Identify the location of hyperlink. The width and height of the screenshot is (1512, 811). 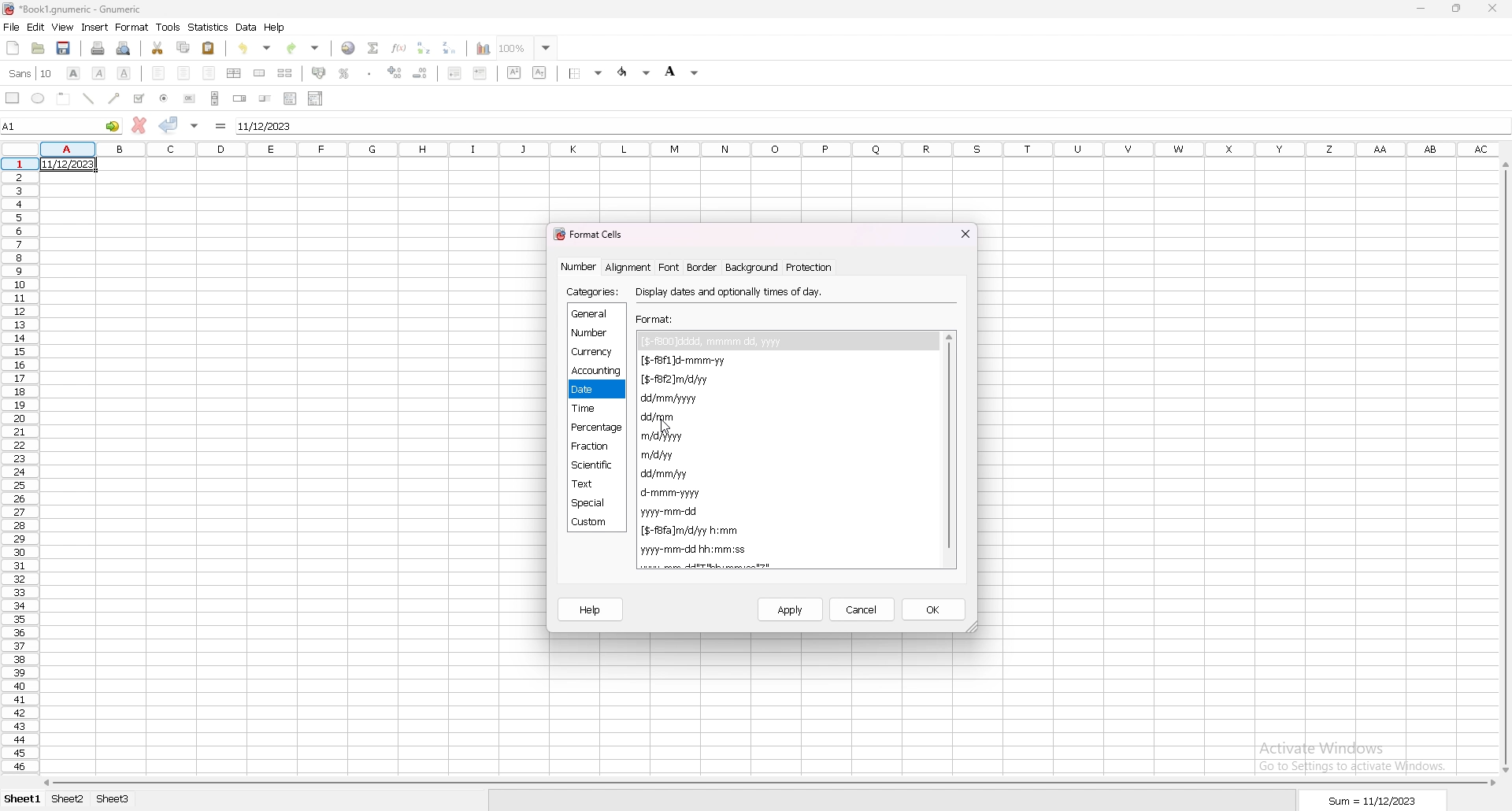
(349, 48).